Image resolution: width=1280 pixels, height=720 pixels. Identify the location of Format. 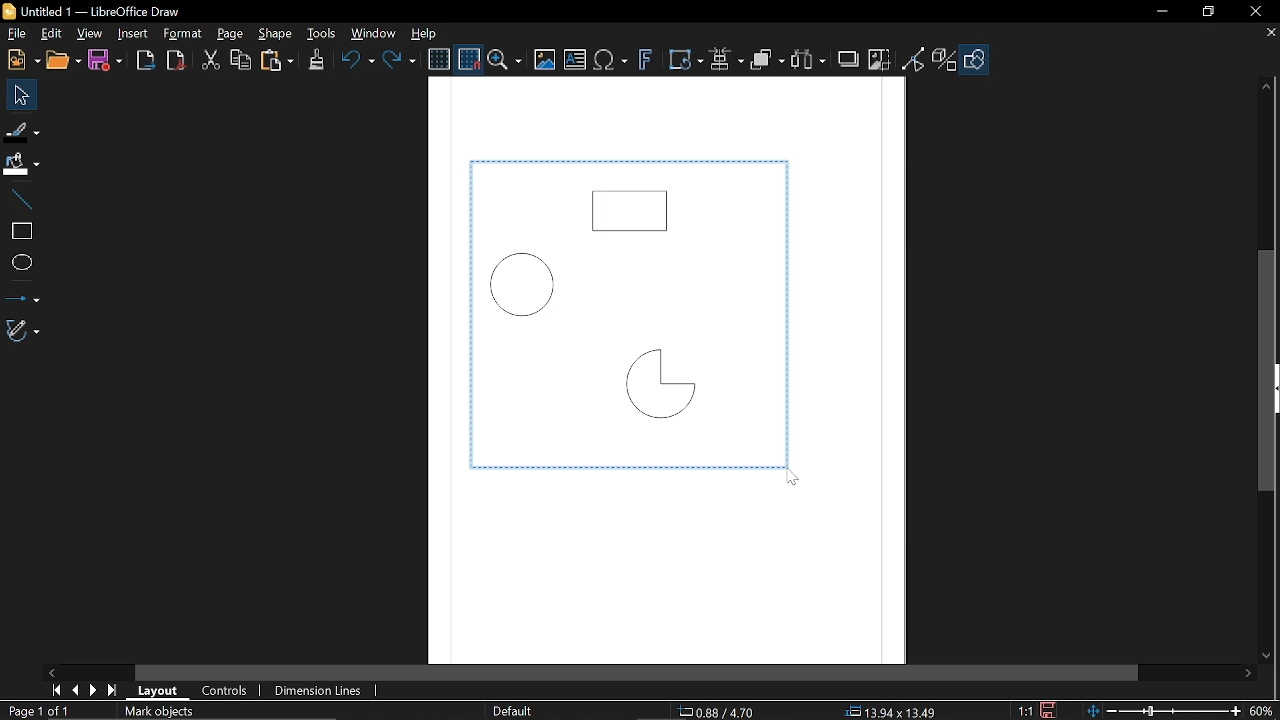
(181, 34).